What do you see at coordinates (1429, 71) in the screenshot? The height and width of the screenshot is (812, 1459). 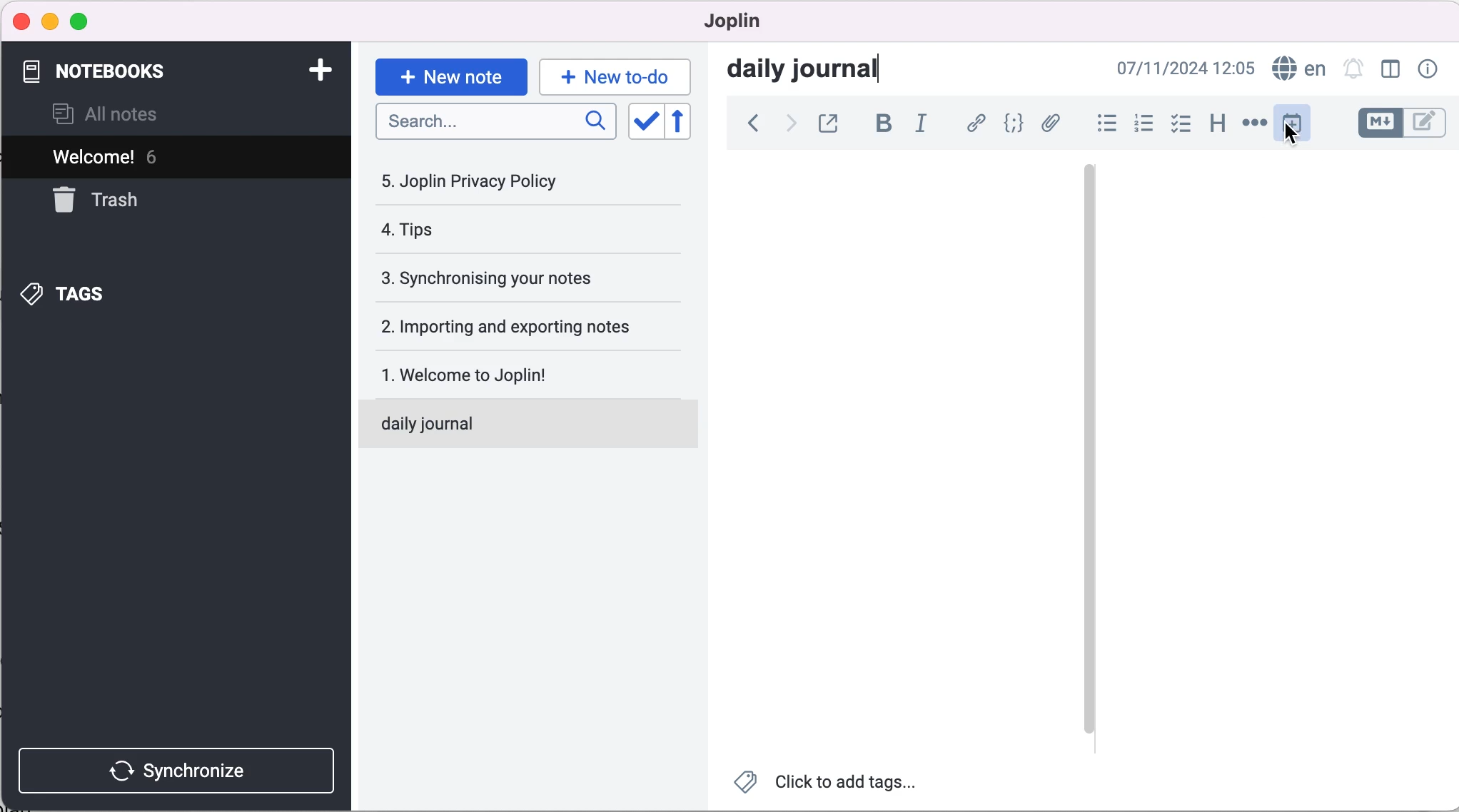 I see `note properties` at bounding box center [1429, 71].